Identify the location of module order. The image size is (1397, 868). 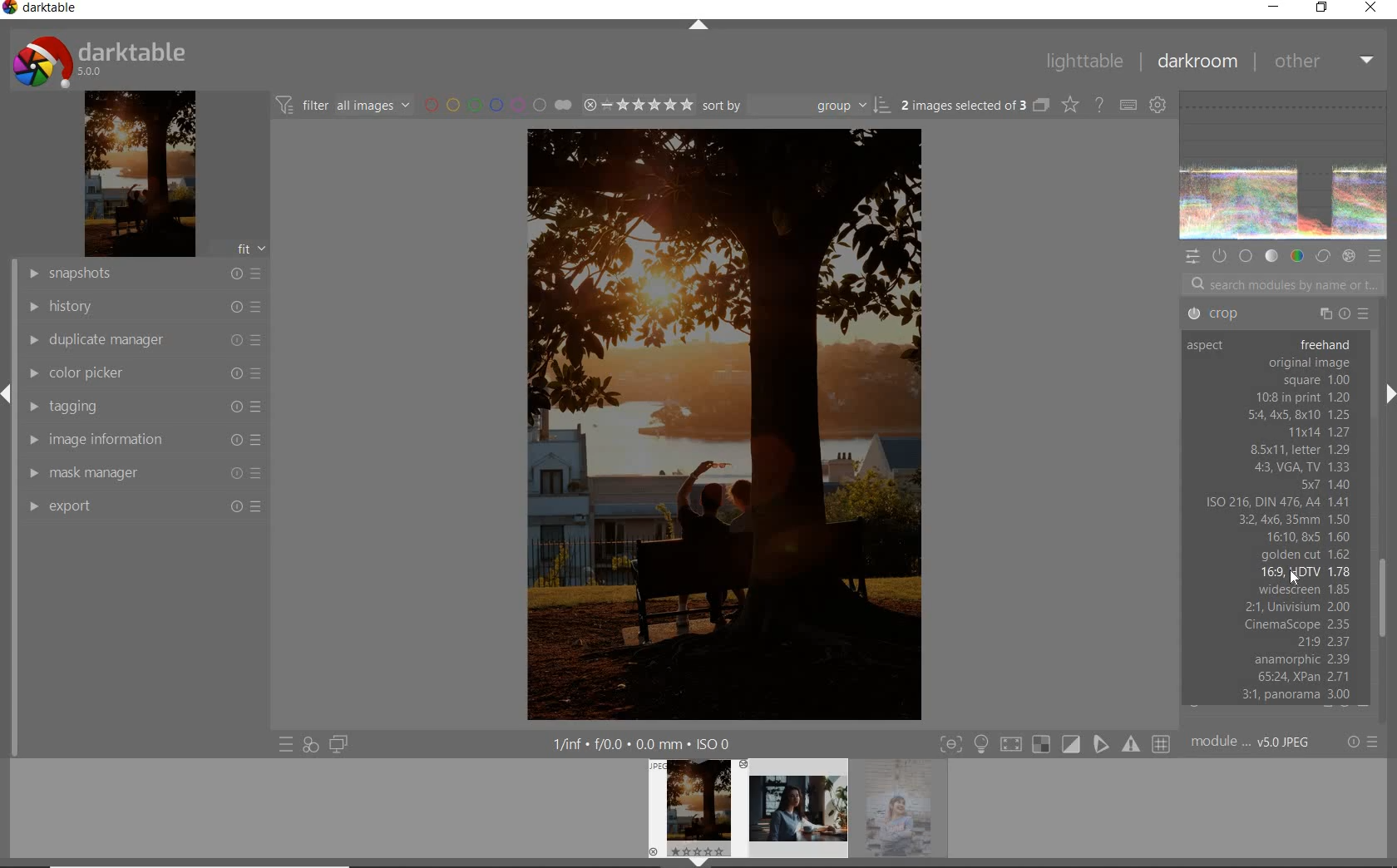
(1249, 744).